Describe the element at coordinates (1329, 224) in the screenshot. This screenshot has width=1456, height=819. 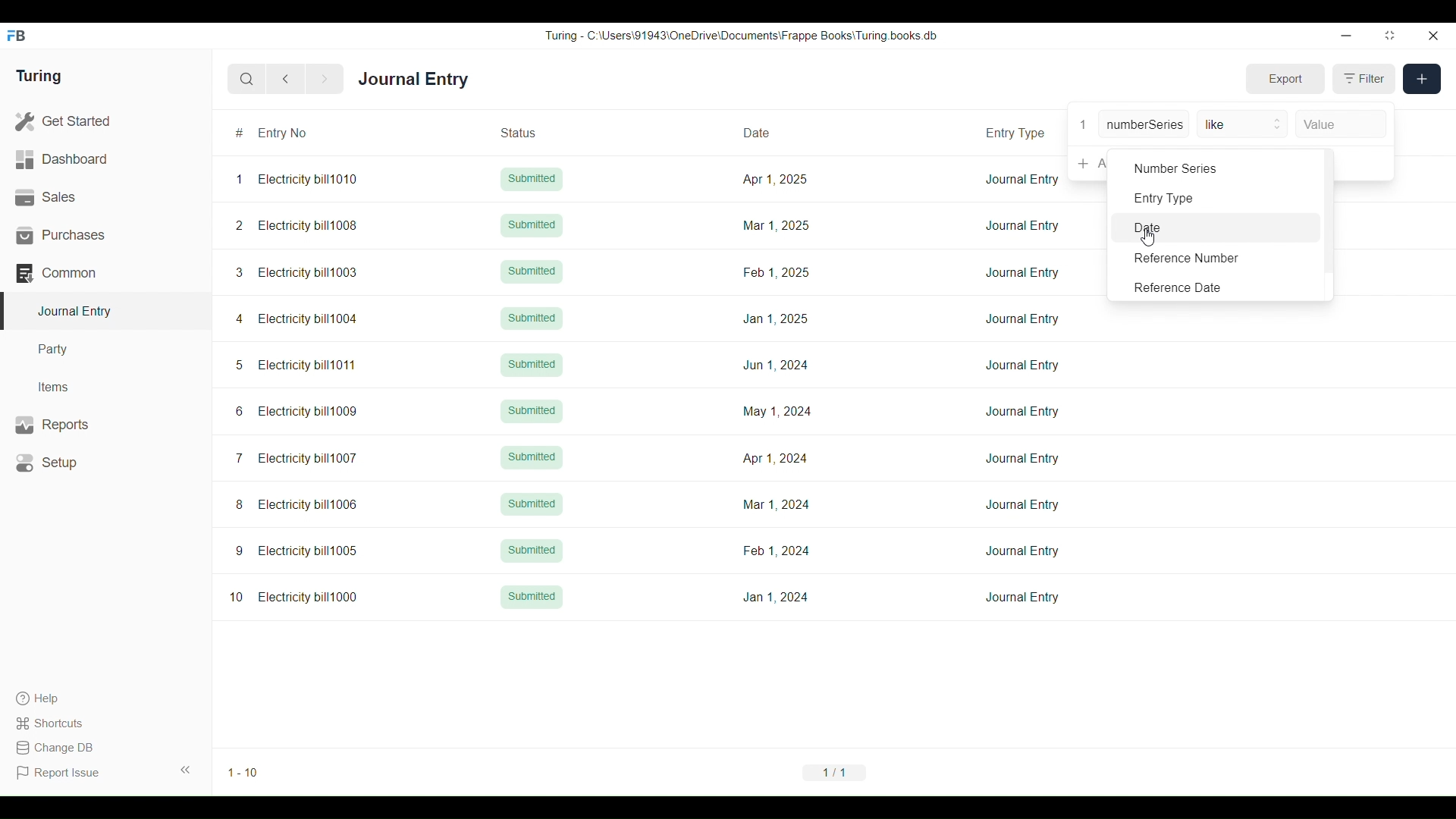
I see `Vertical slide bar` at that location.